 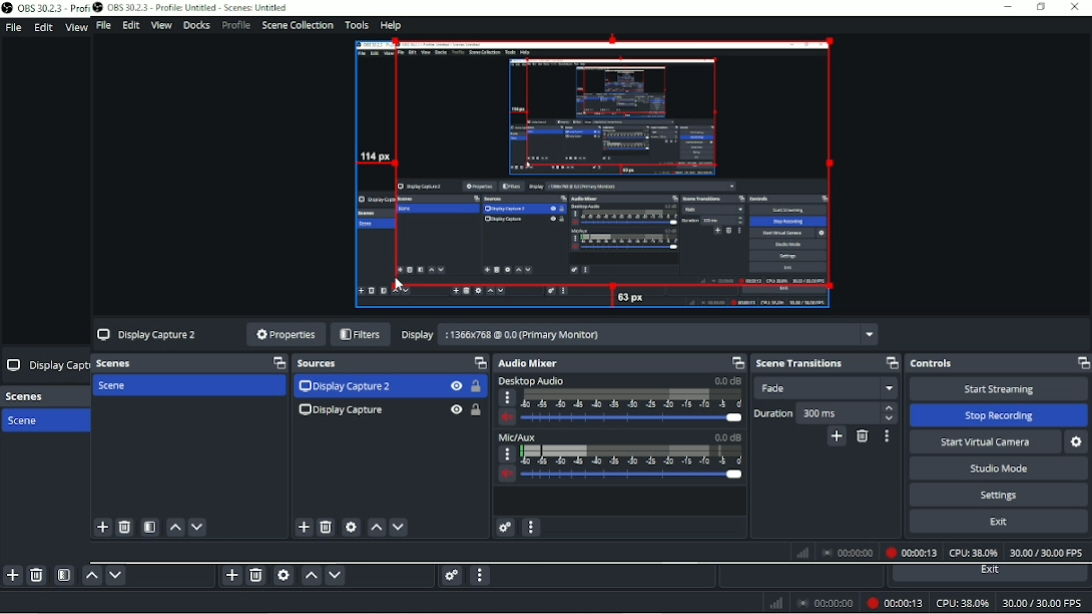 I want to click on Scenes, so click(x=117, y=363).